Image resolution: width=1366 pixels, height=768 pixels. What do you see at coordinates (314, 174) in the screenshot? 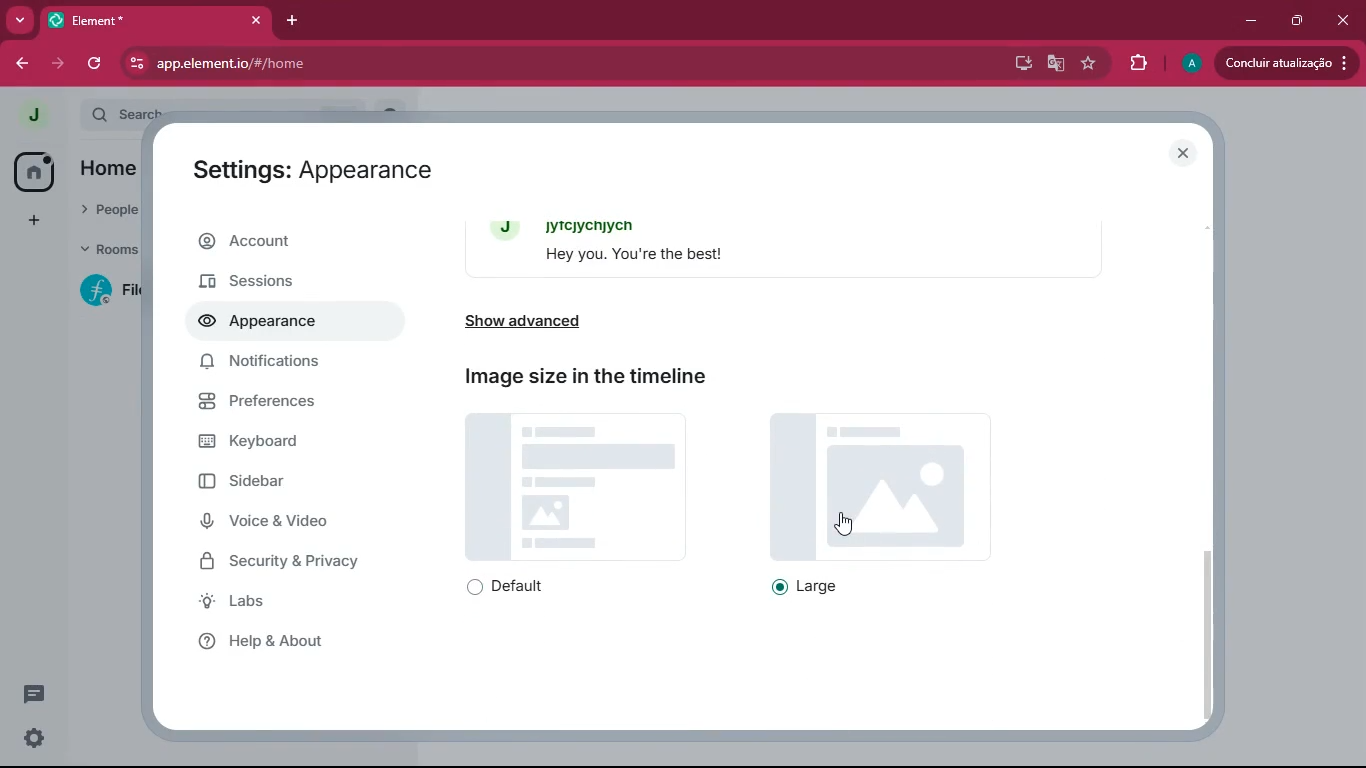
I see `Settings: Appearance` at bounding box center [314, 174].